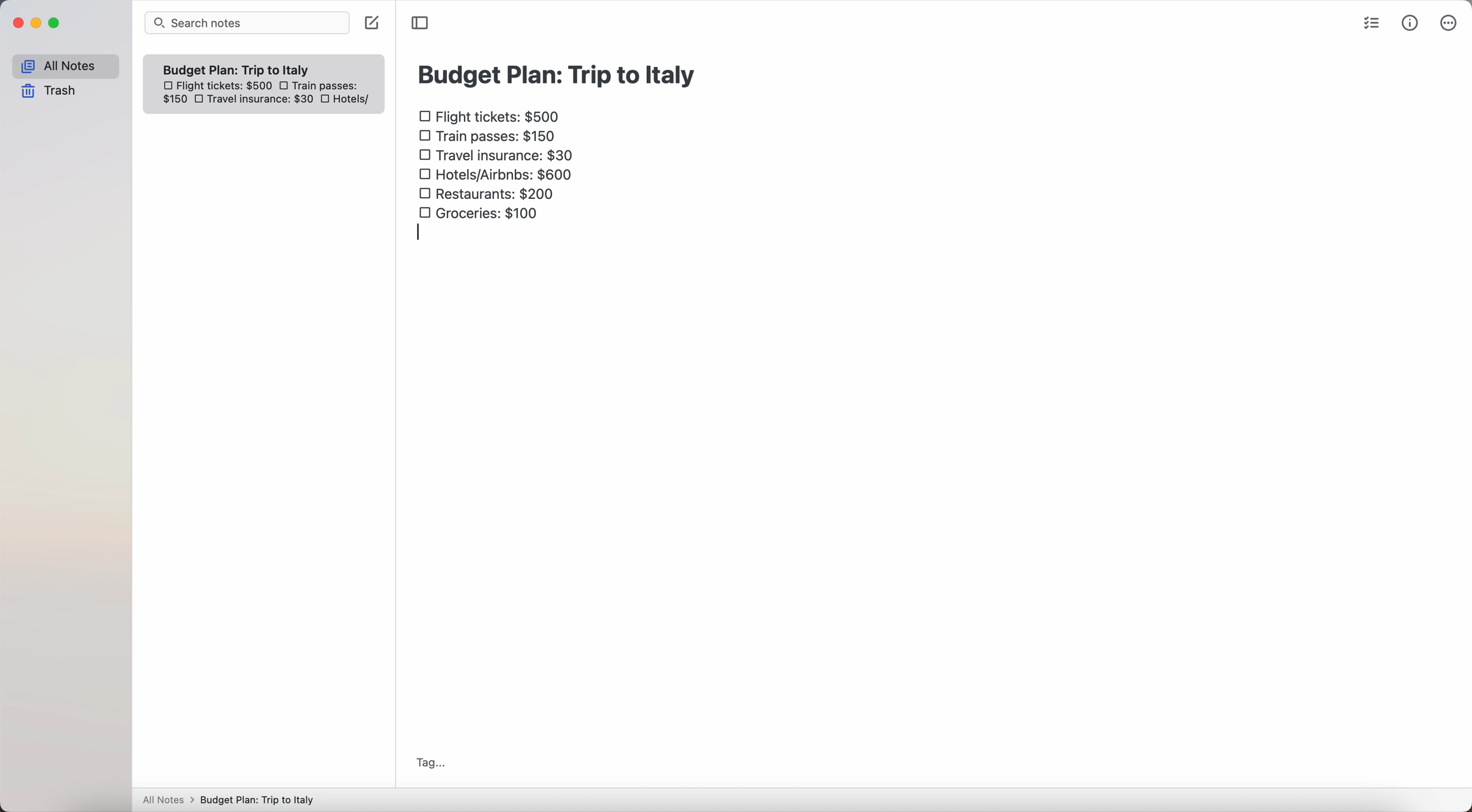 The height and width of the screenshot is (812, 1472). I want to click on checkbox, so click(286, 86).